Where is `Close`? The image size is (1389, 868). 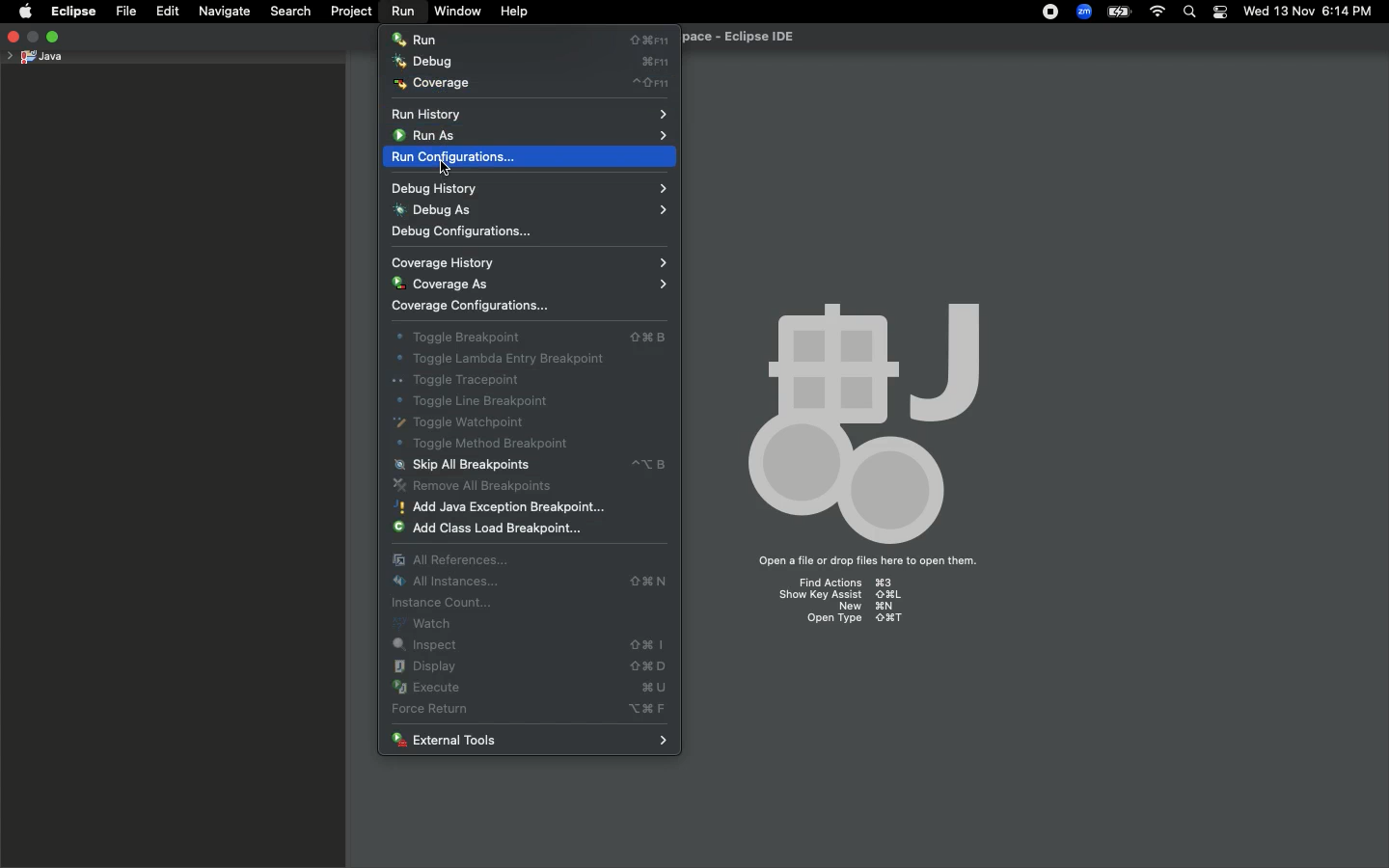 Close is located at coordinates (13, 35).